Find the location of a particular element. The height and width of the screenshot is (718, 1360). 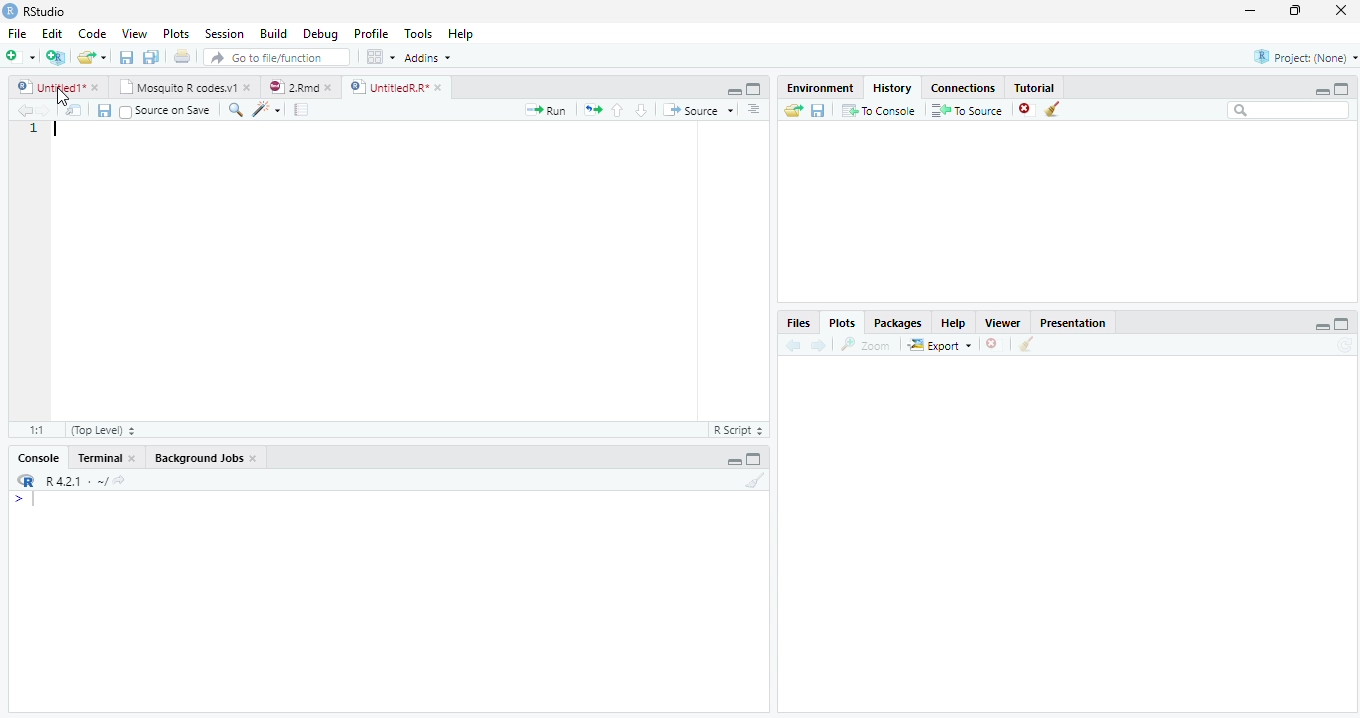

Go to the next section is located at coordinates (641, 110).